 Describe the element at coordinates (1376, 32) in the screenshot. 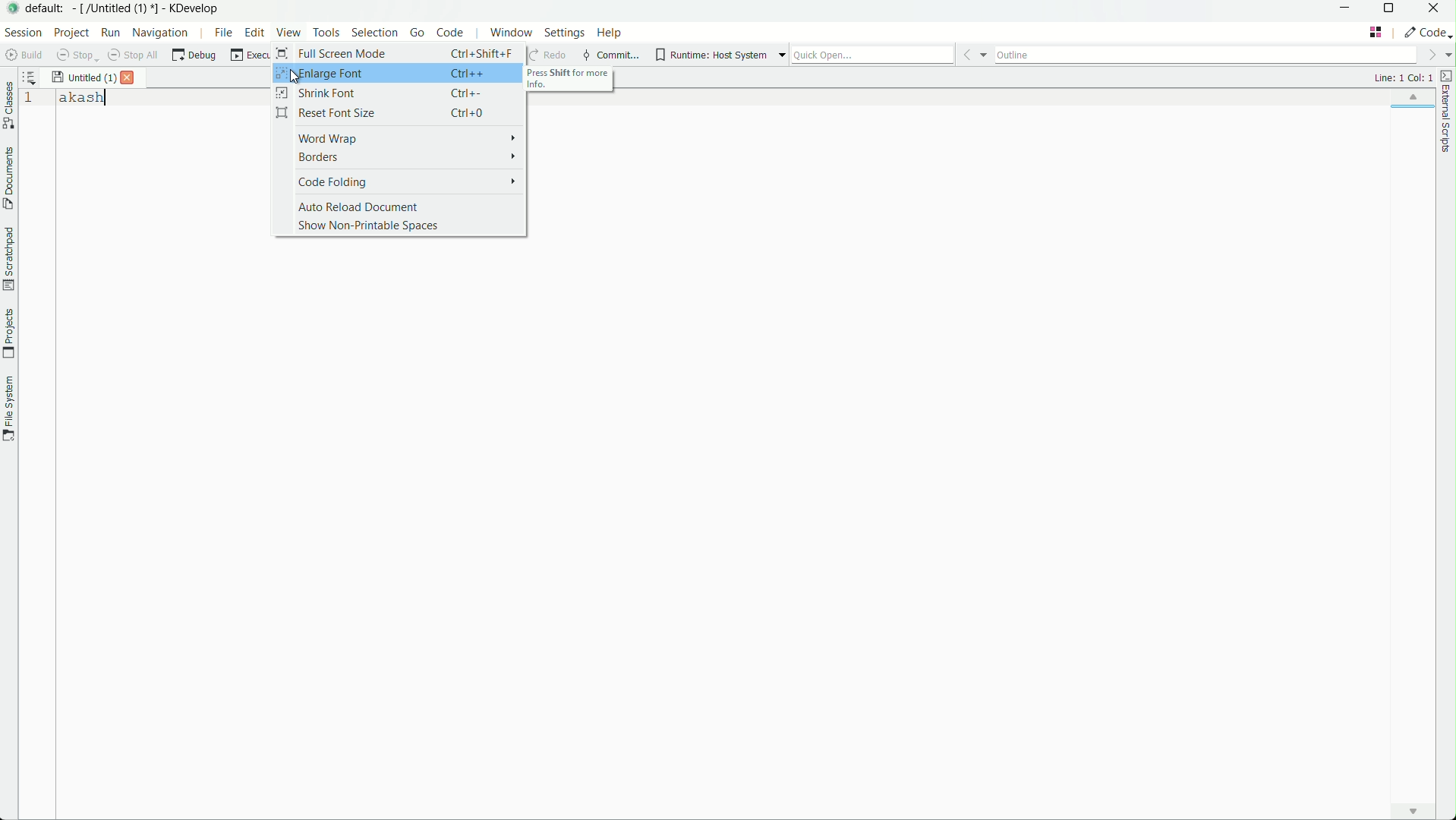

I see `change layout` at that location.